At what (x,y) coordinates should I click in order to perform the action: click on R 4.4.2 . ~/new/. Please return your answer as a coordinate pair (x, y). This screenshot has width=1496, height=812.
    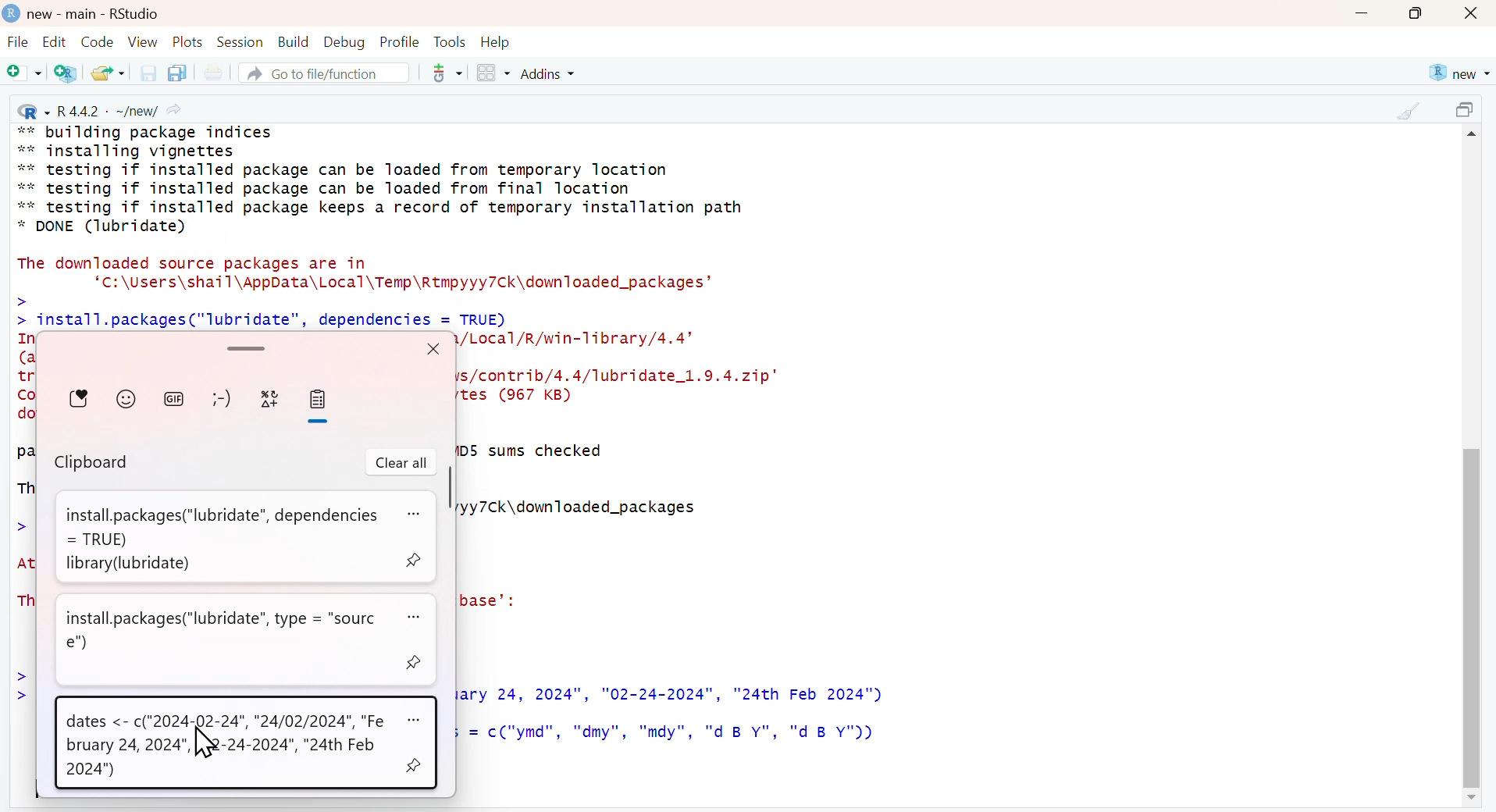
    Looking at the image, I should click on (102, 109).